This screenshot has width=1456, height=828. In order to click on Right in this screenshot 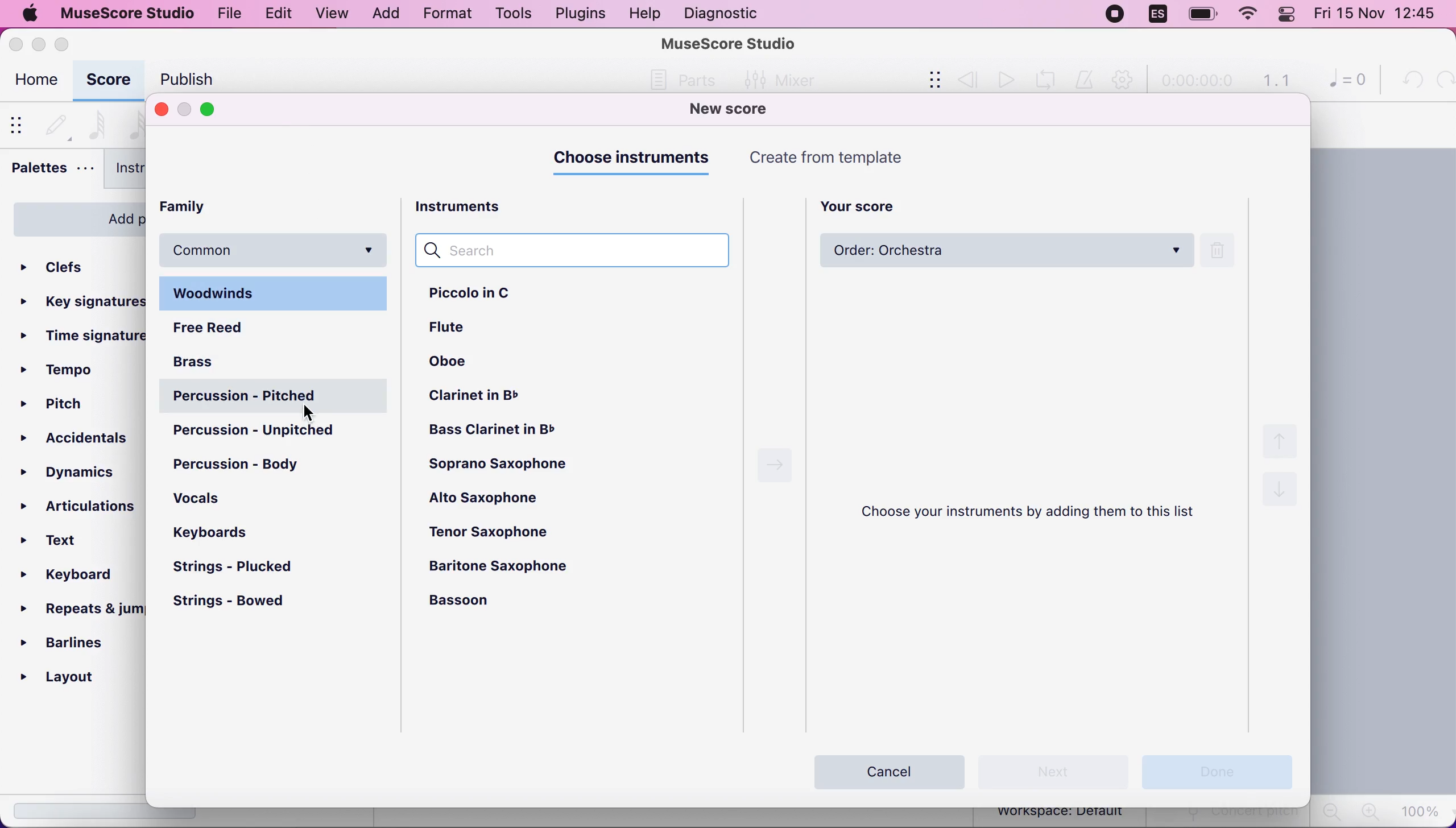, I will do `click(771, 462)`.